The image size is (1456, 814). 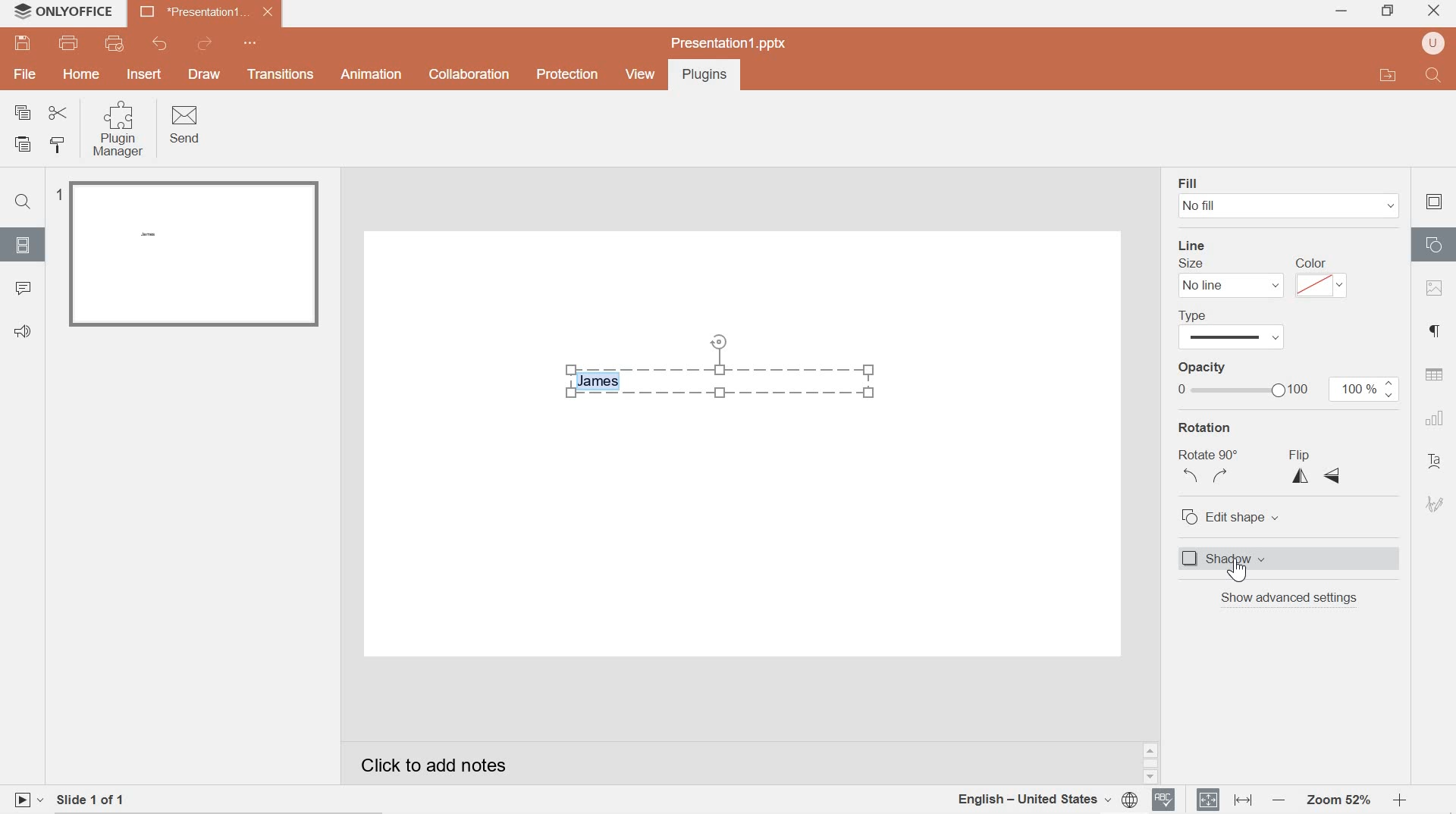 What do you see at coordinates (81, 11) in the screenshot?
I see `system name` at bounding box center [81, 11].